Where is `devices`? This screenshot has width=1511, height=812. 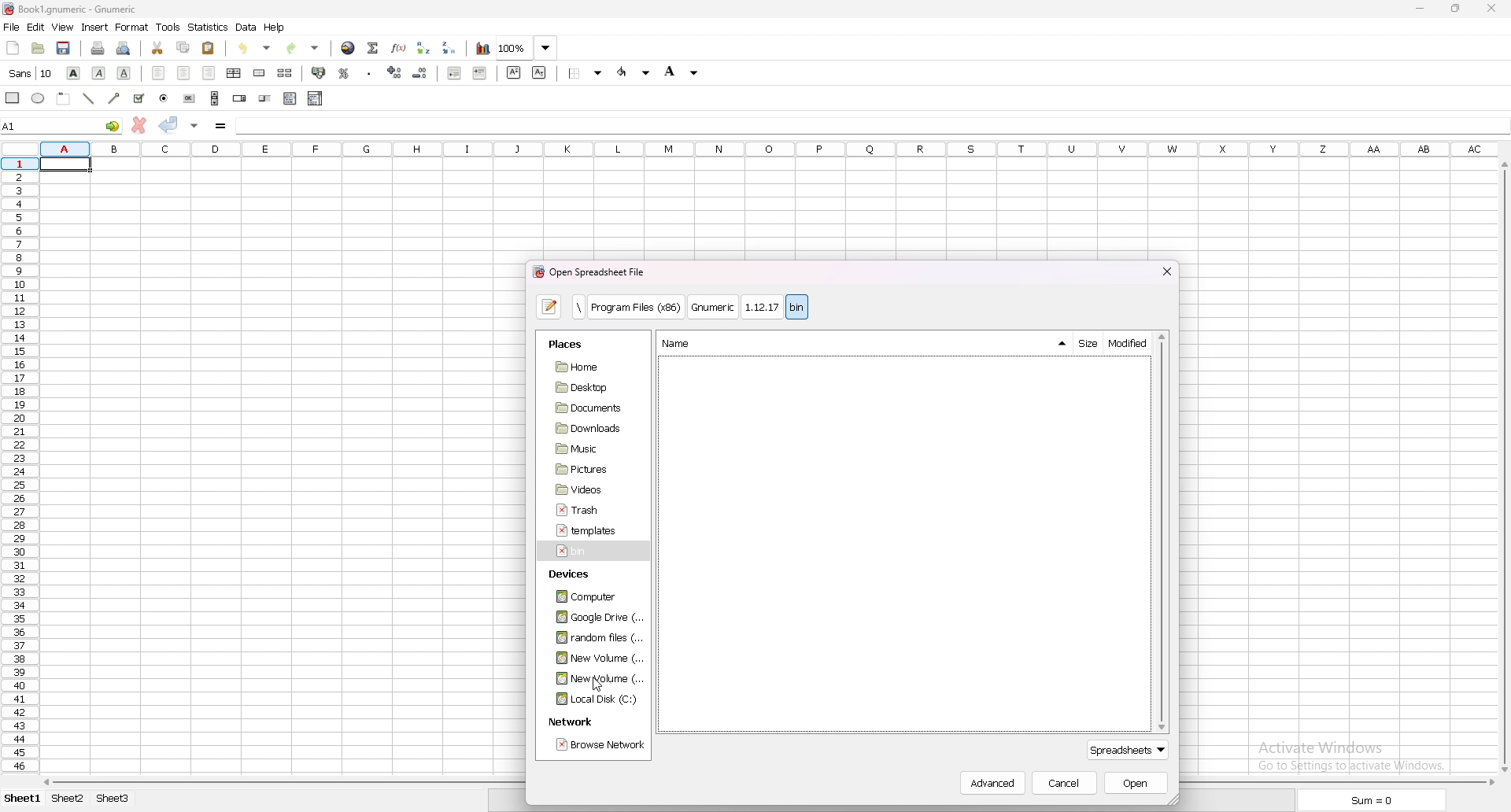
devices is located at coordinates (578, 571).